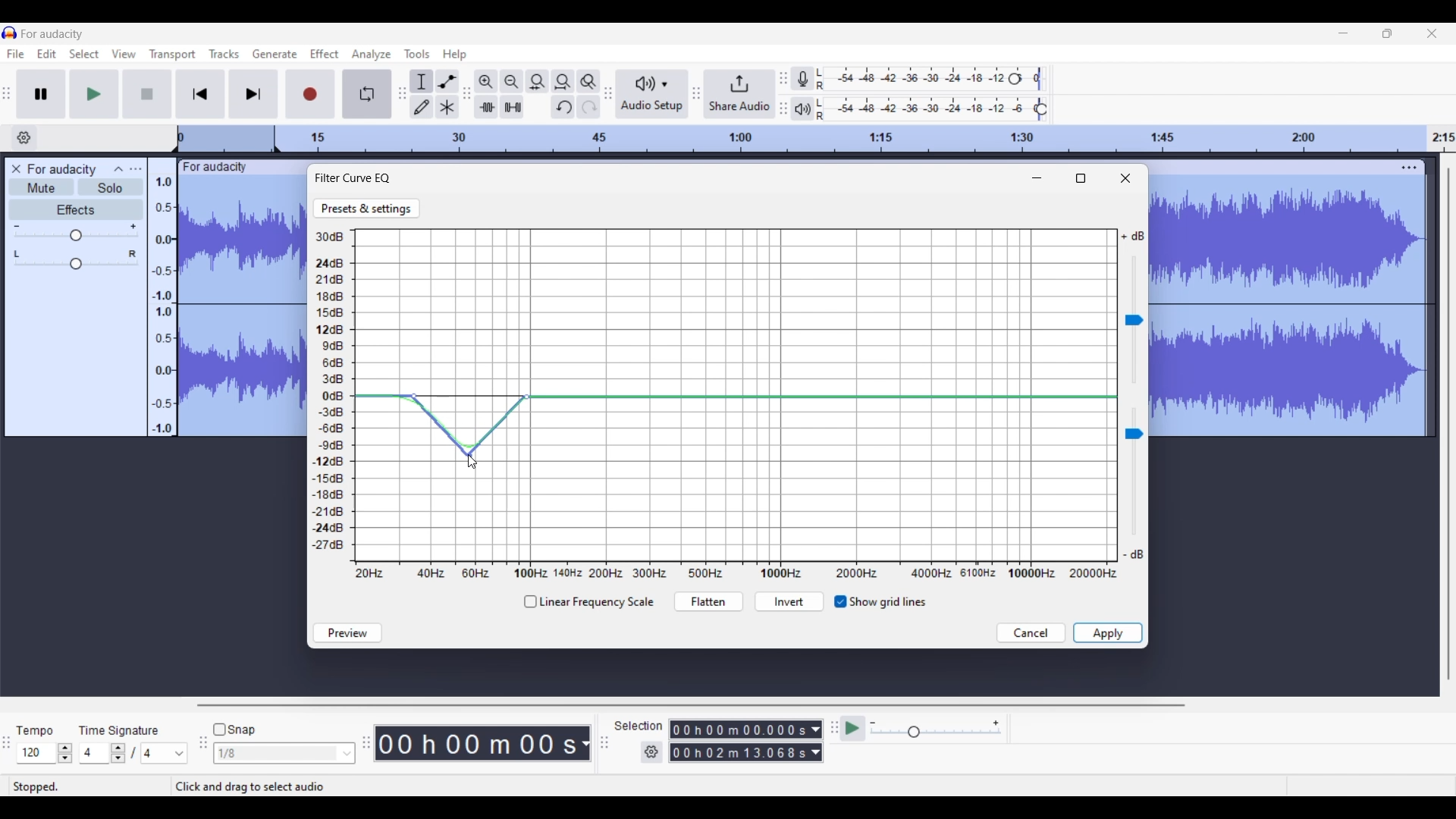 This screenshot has width=1456, height=819. What do you see at coordinates (76, 209) in the screenshot?
I see `Effects` at bounding box center [76, 209].